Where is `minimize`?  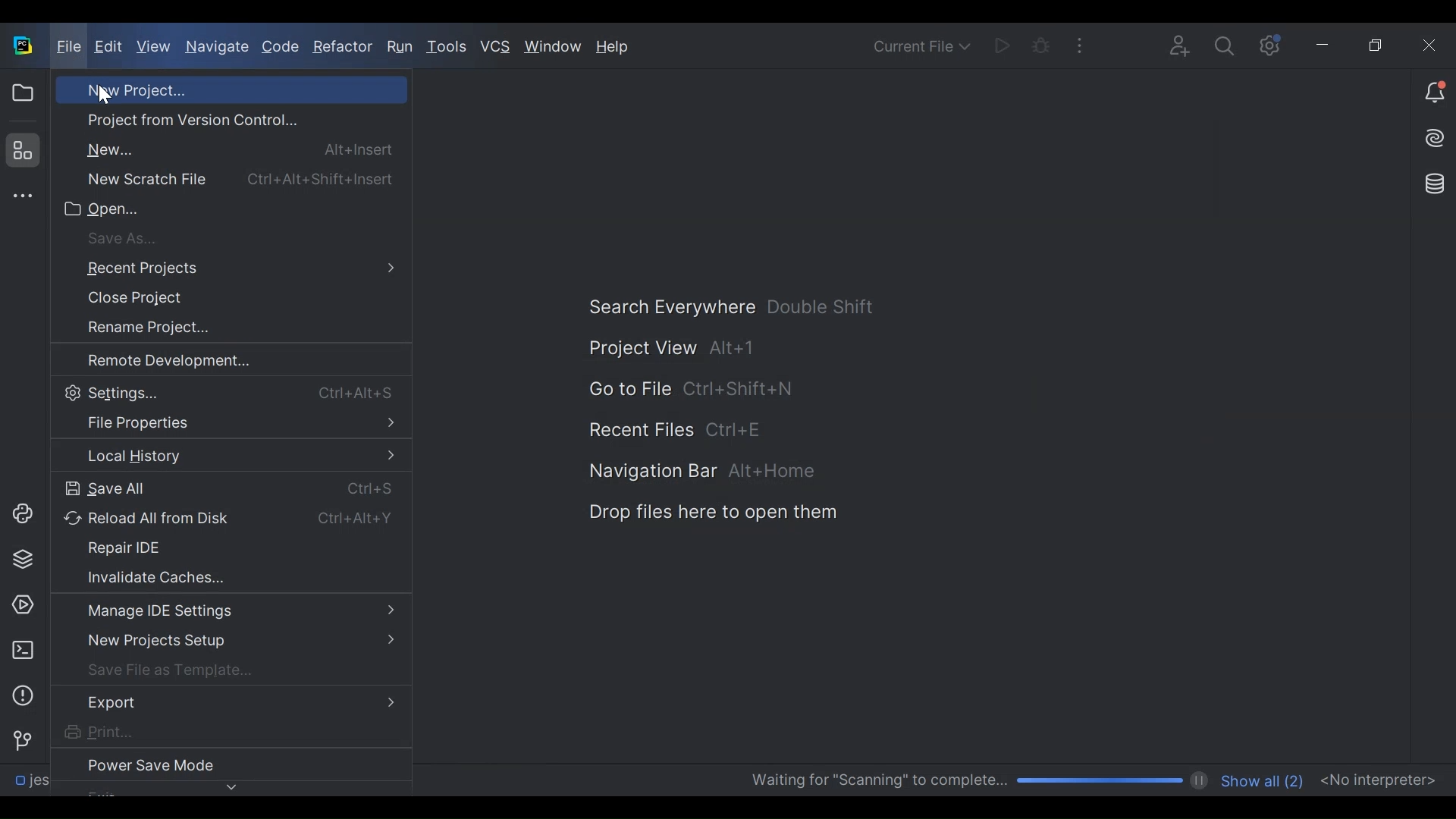
minimize is located at coordinates (1325, 45).